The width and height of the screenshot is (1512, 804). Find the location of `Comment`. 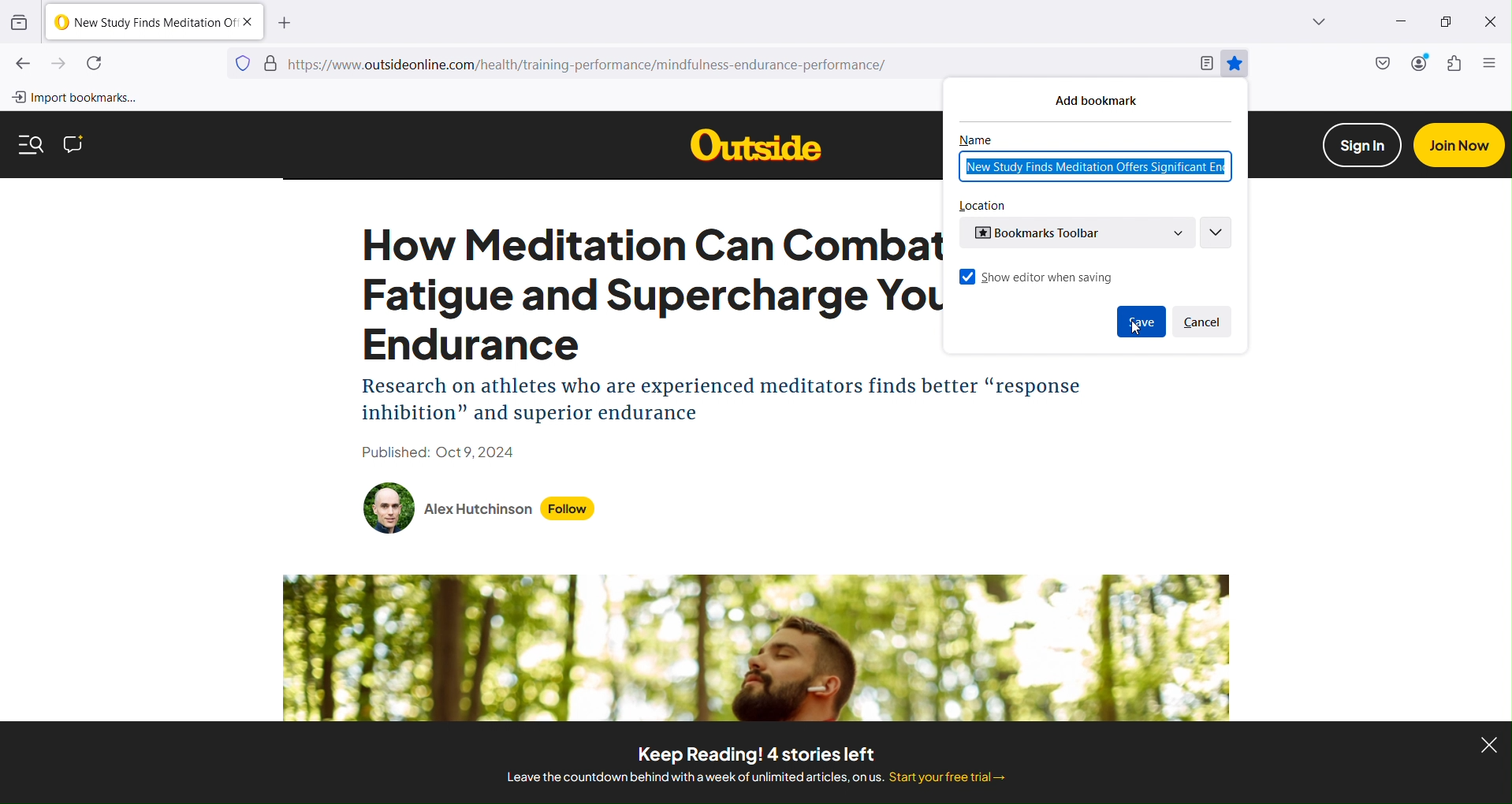

Comment is located at coordinates (73, 144).